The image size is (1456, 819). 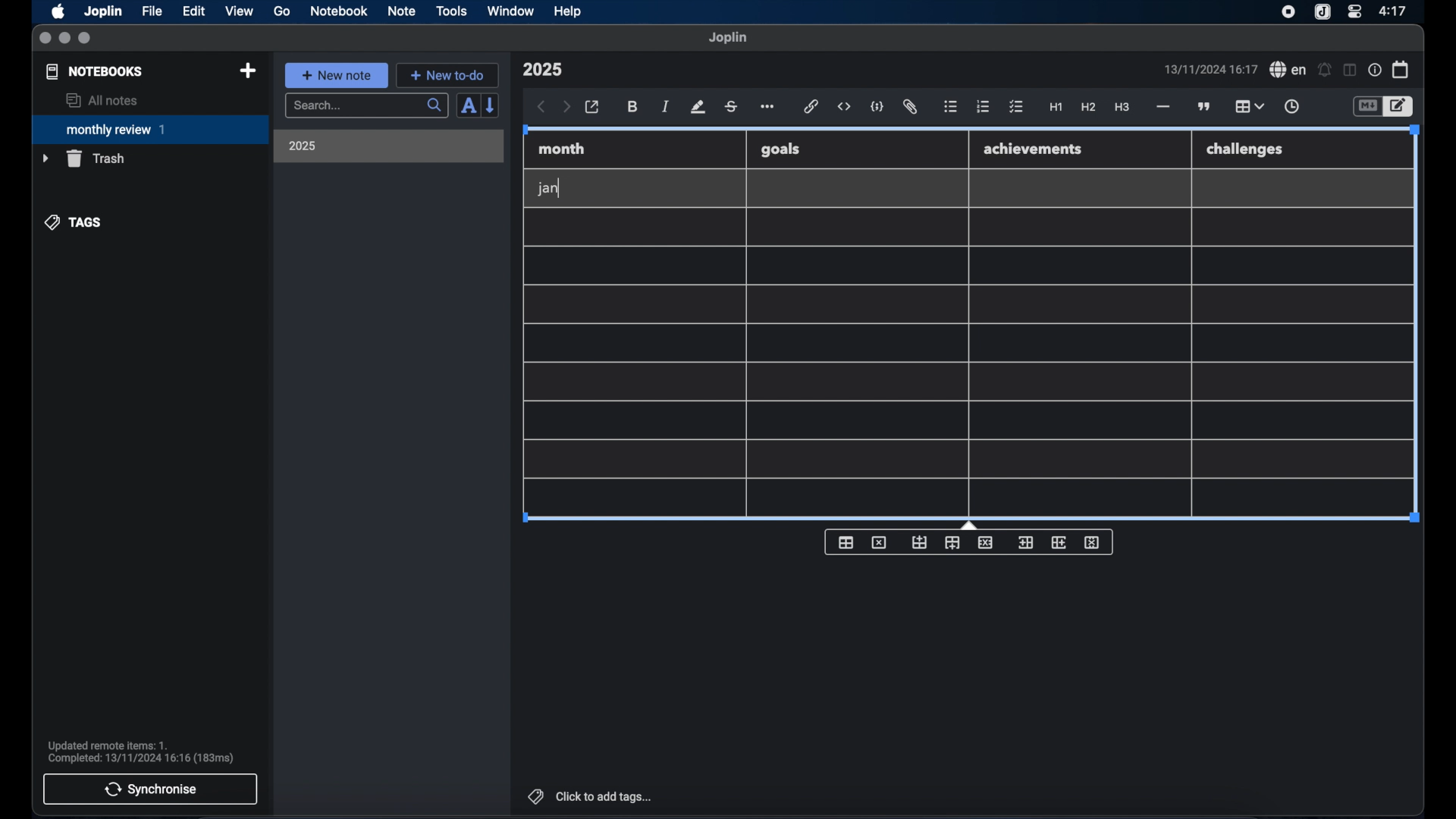 I want to click on new to-do, so click(x=448, y=75).